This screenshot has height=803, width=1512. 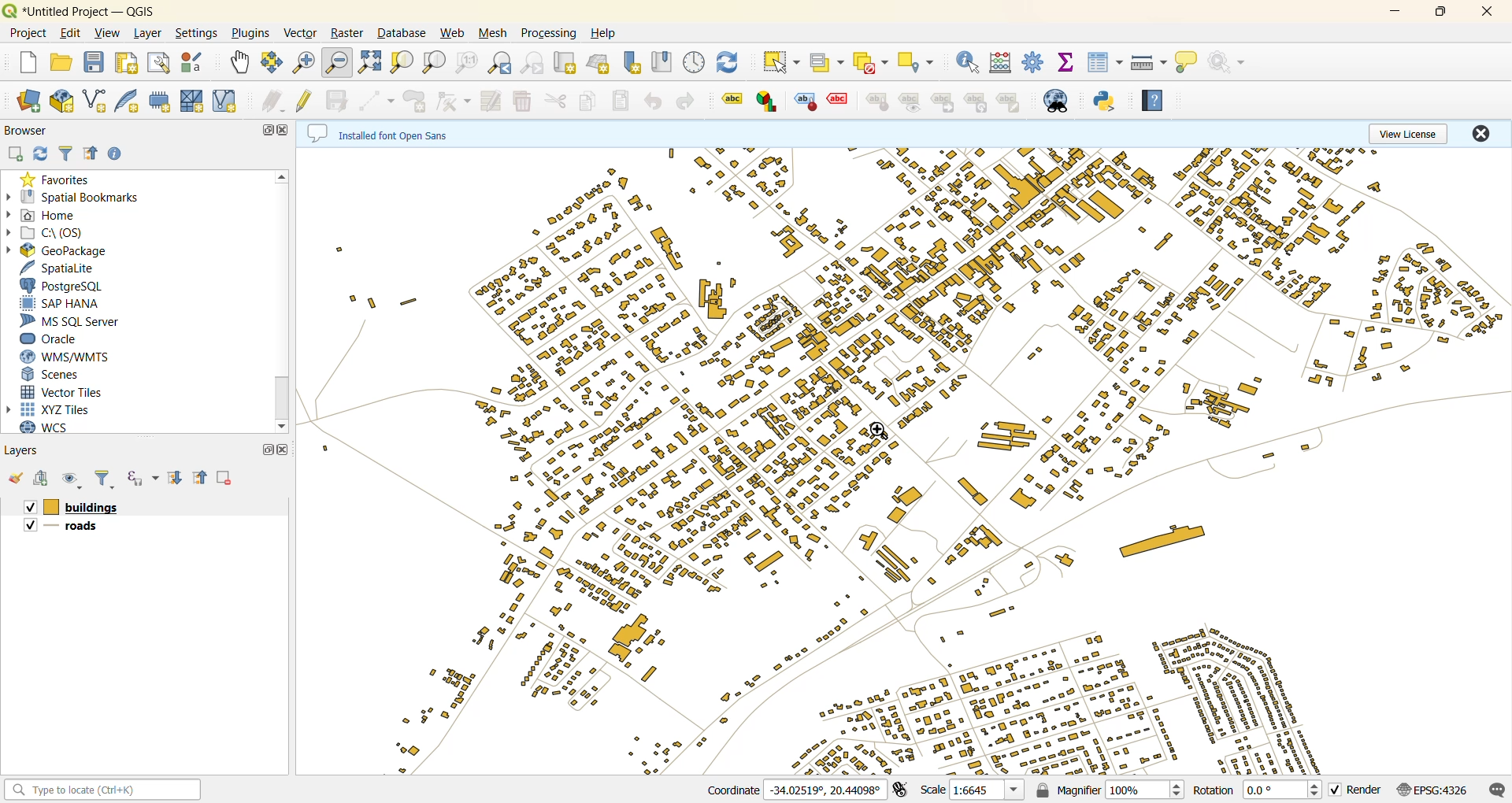 What do you see at coordinates (161, 102) in the screenshot?
I see `temporary scratch layer` at bounding box center [161, 102].